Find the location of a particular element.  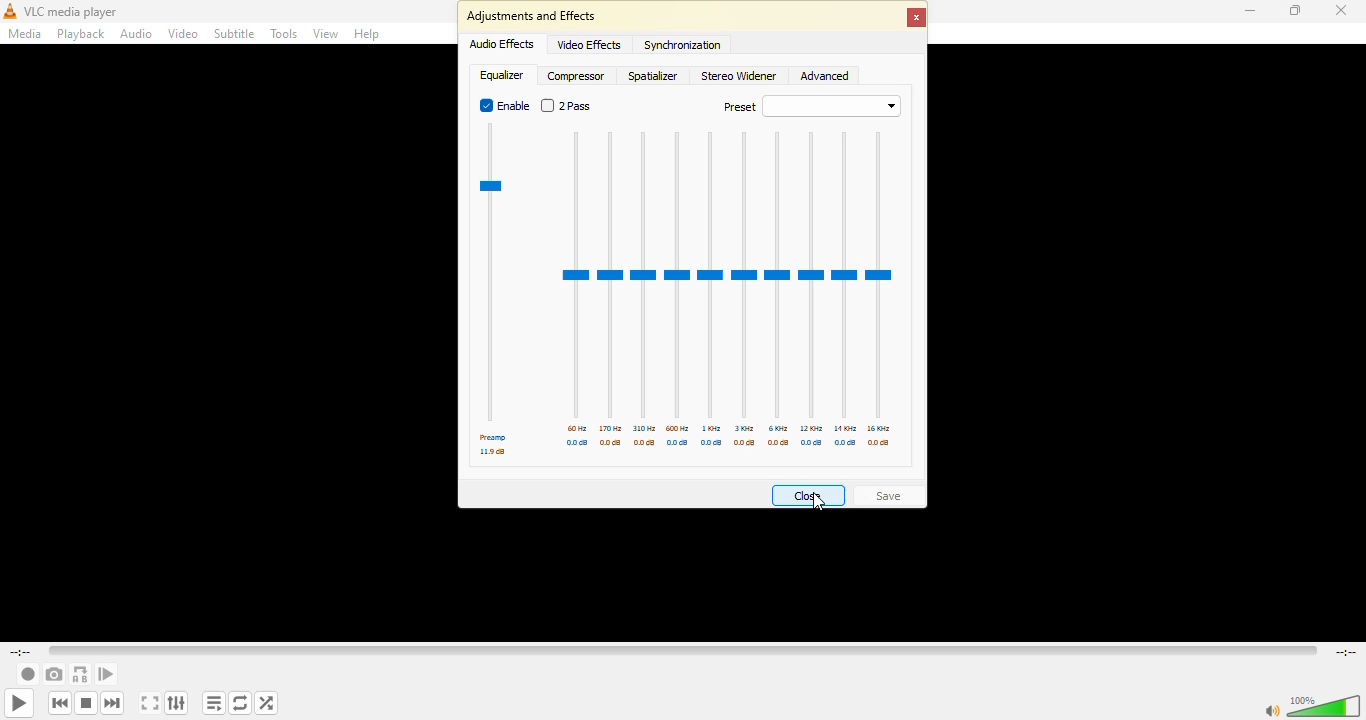

6 khz is located at coordinates (779, 429).